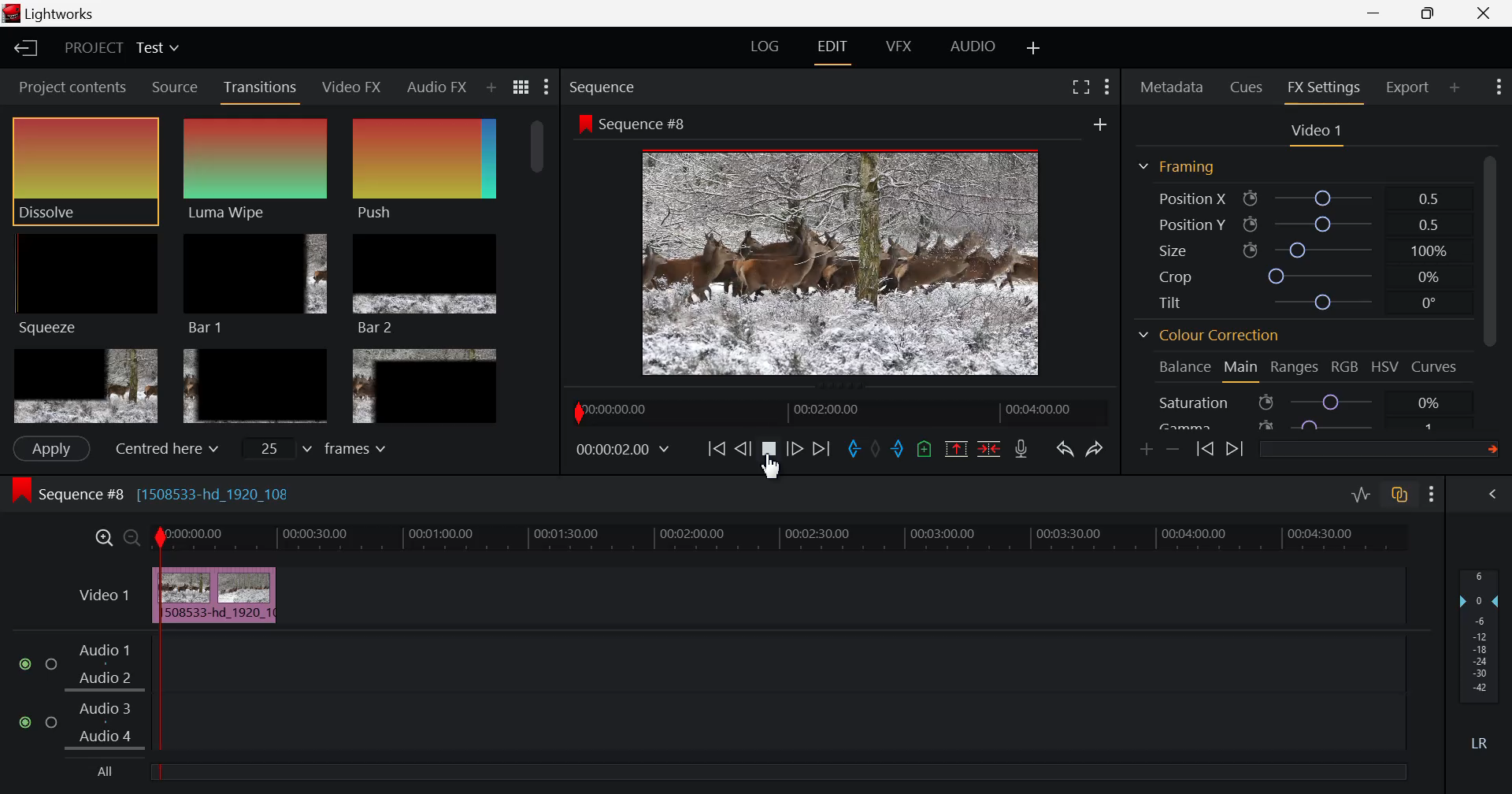  What do you see at coordinates (1361, 495) in the screenshot?
I see `Toggle audio levels` at bounding box center [1361, 495].